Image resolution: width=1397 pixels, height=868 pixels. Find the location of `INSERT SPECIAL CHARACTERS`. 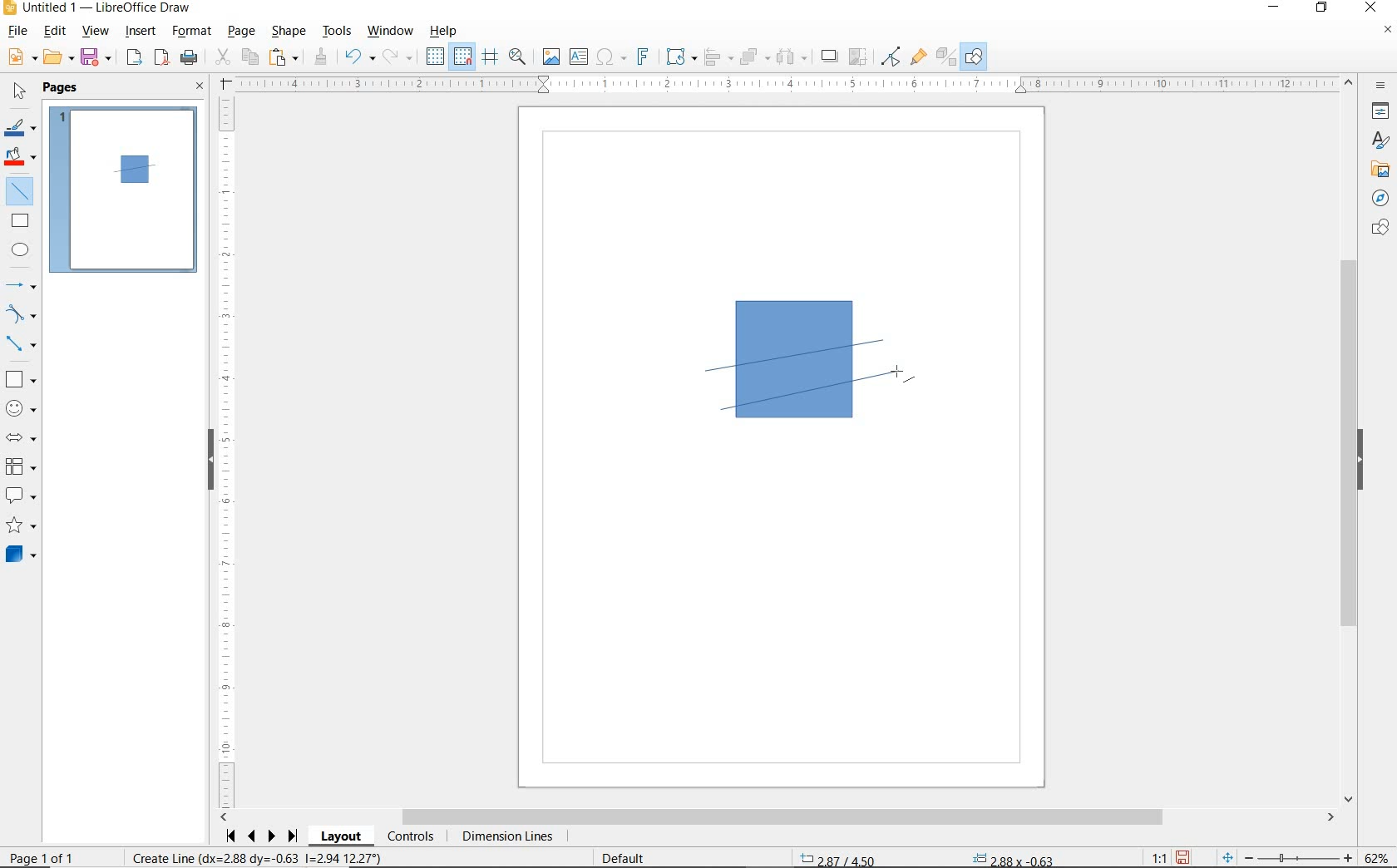

INSERT SPECIAL CHARACTERS is located at coordinates (610, 57).